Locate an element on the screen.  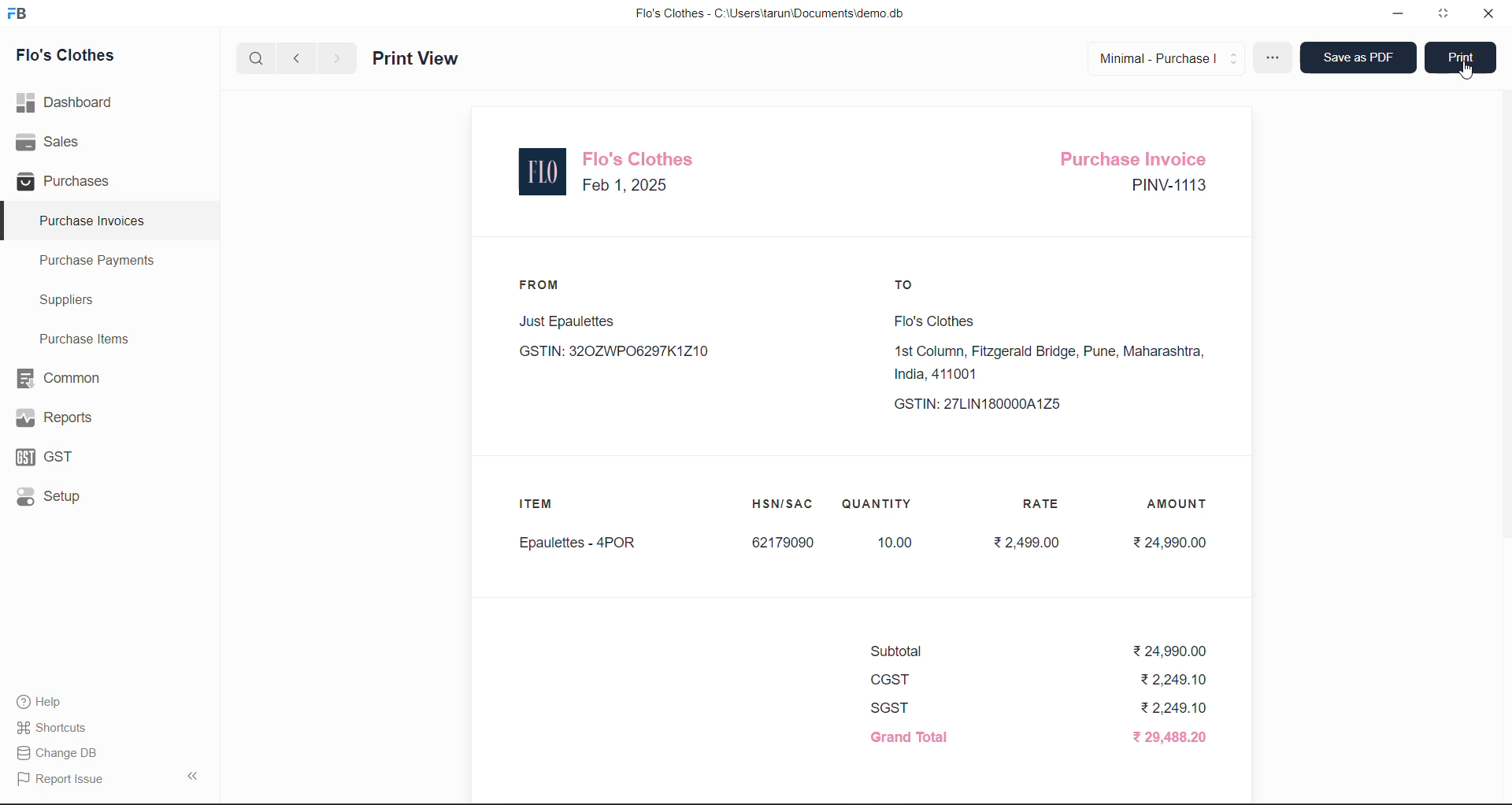
Dashboard is located at coordinates (69, 102).